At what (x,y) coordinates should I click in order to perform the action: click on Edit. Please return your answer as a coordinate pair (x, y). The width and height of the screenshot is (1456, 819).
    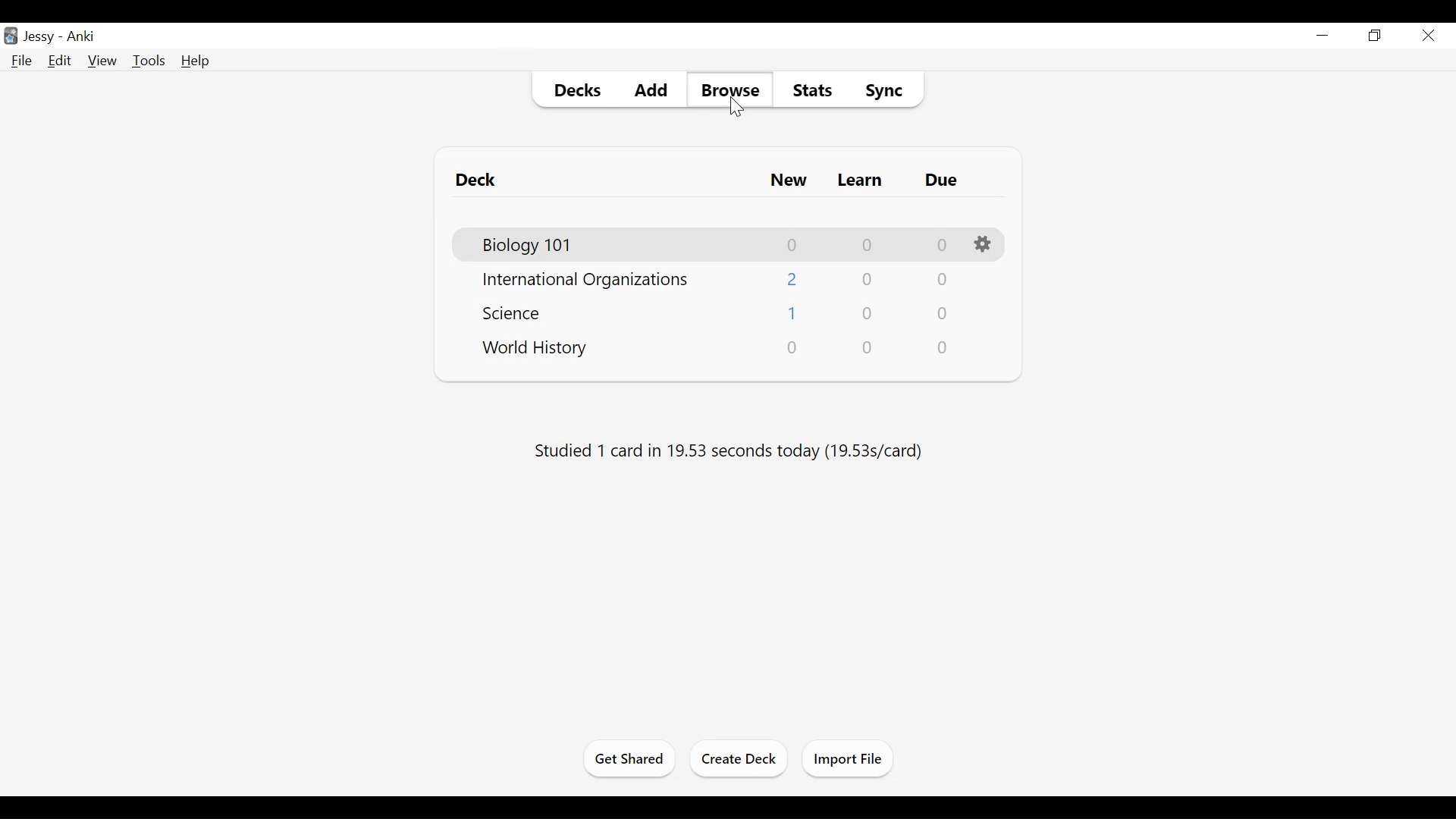
    Looking at the image, I should click on (58, 60).